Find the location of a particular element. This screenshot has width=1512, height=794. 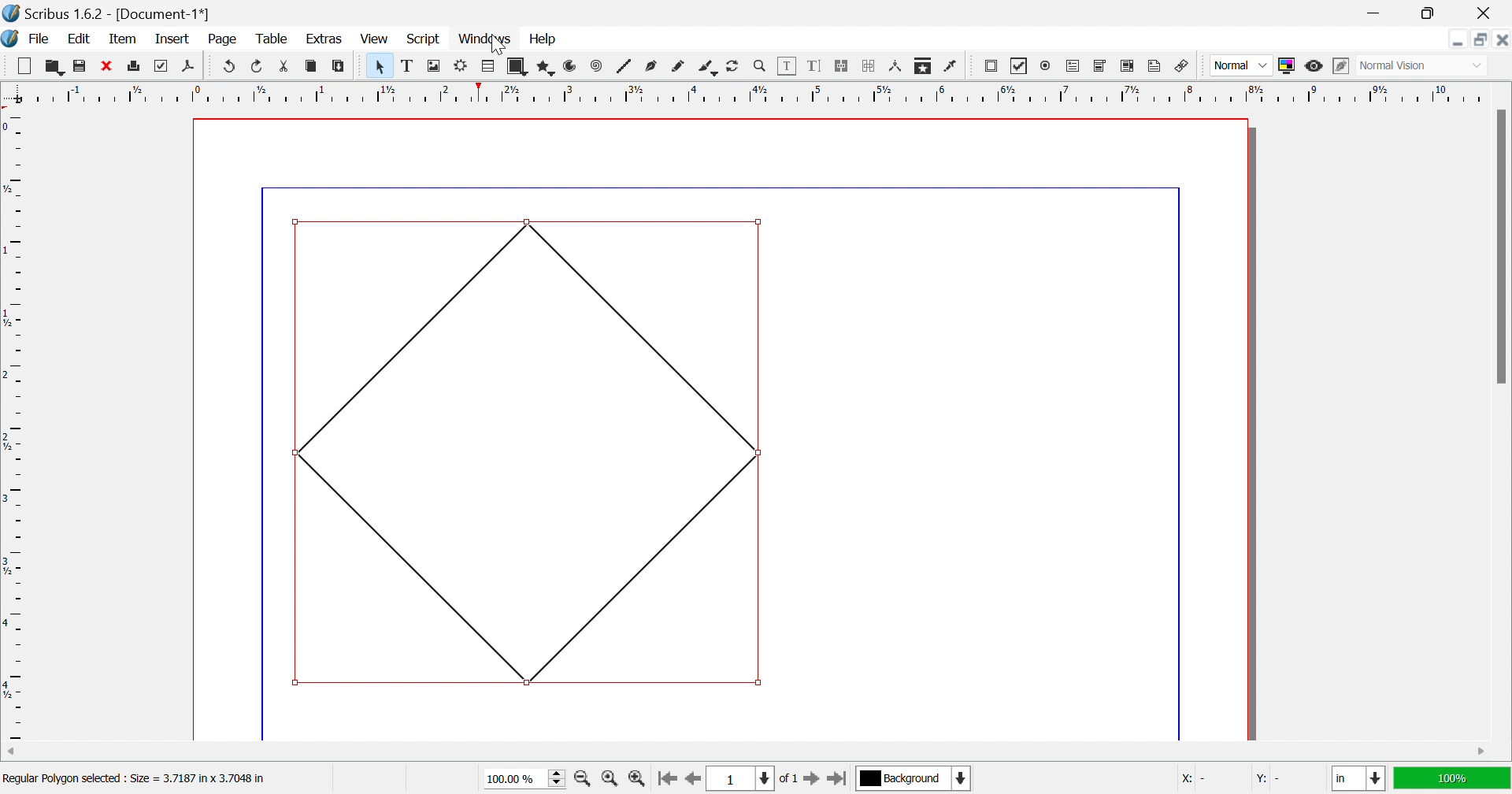

Item is located at coordinates (123, 38).